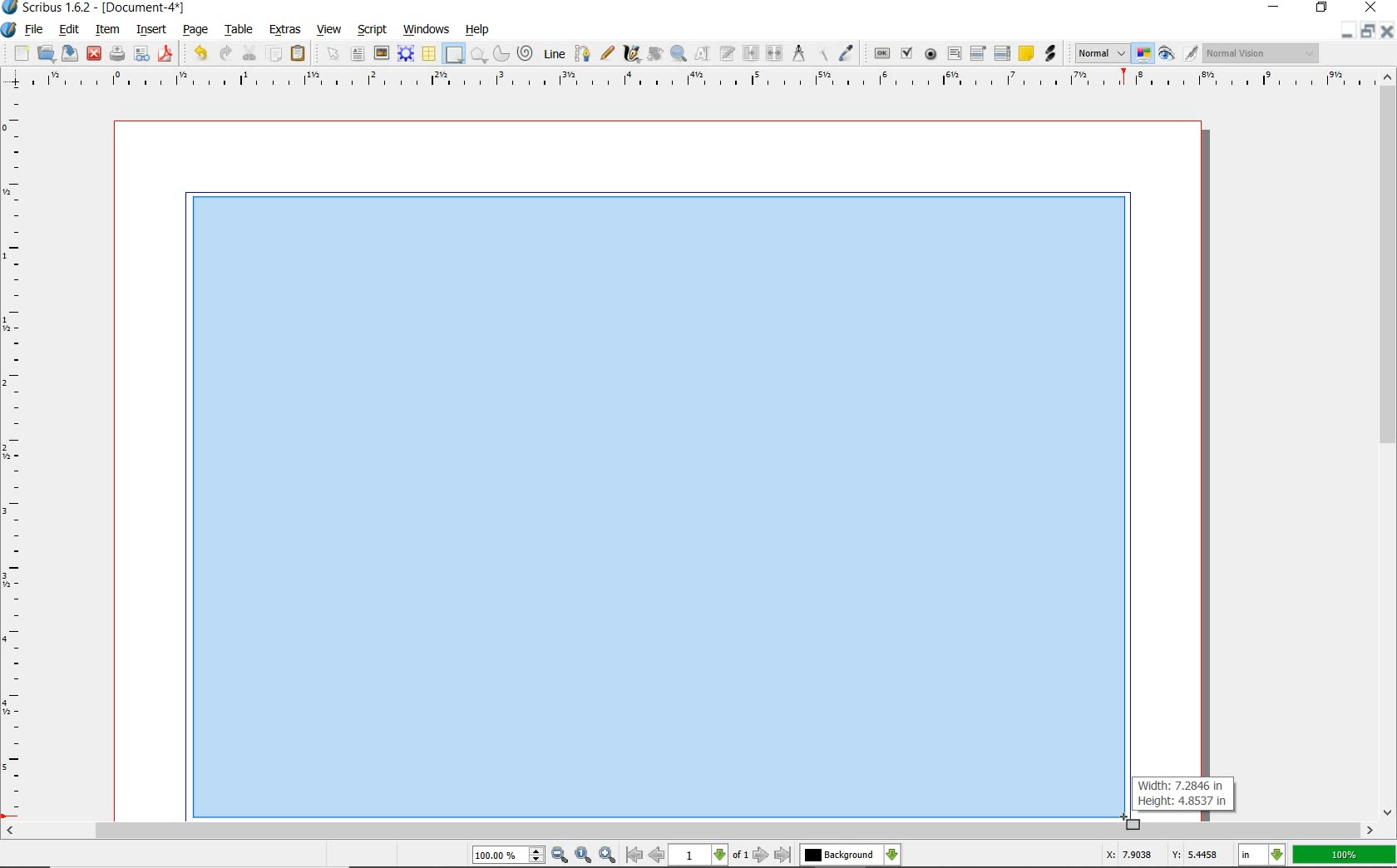 The image size is (1397, 868). Describe the element at coordinates (429, 54) in the screenshot. I see `table` at that location.